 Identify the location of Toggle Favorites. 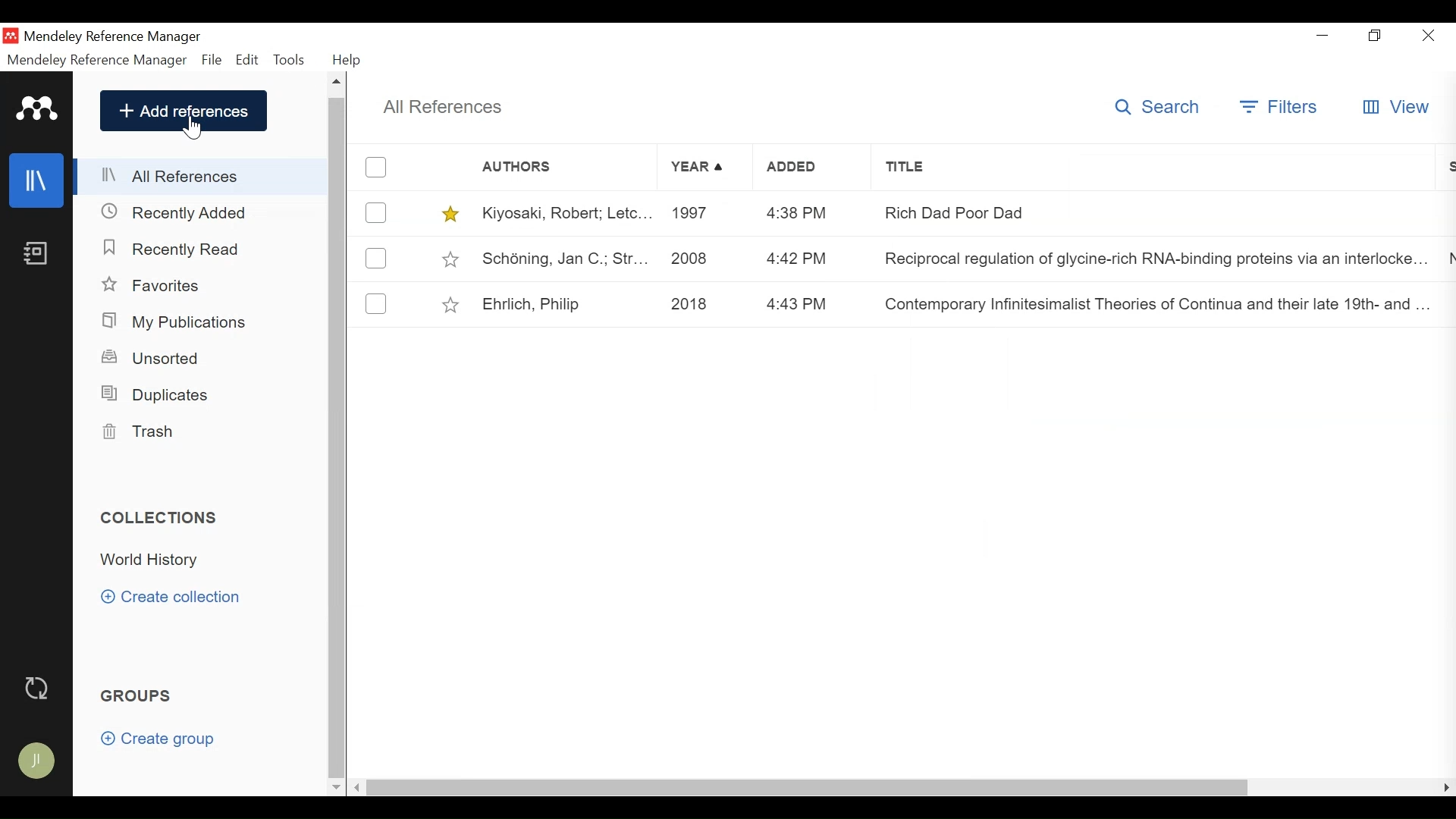
(450, 259).